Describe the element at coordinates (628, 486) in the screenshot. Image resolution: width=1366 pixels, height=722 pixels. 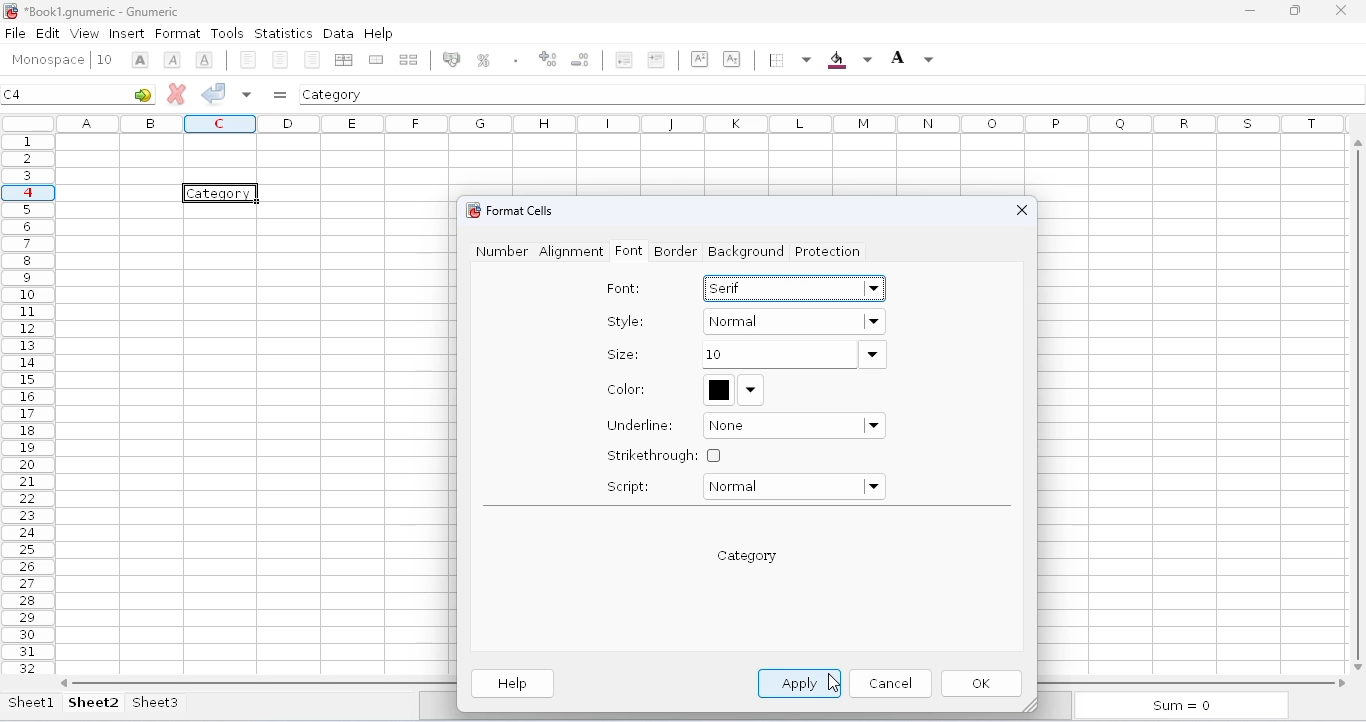
I see `script` at that location.